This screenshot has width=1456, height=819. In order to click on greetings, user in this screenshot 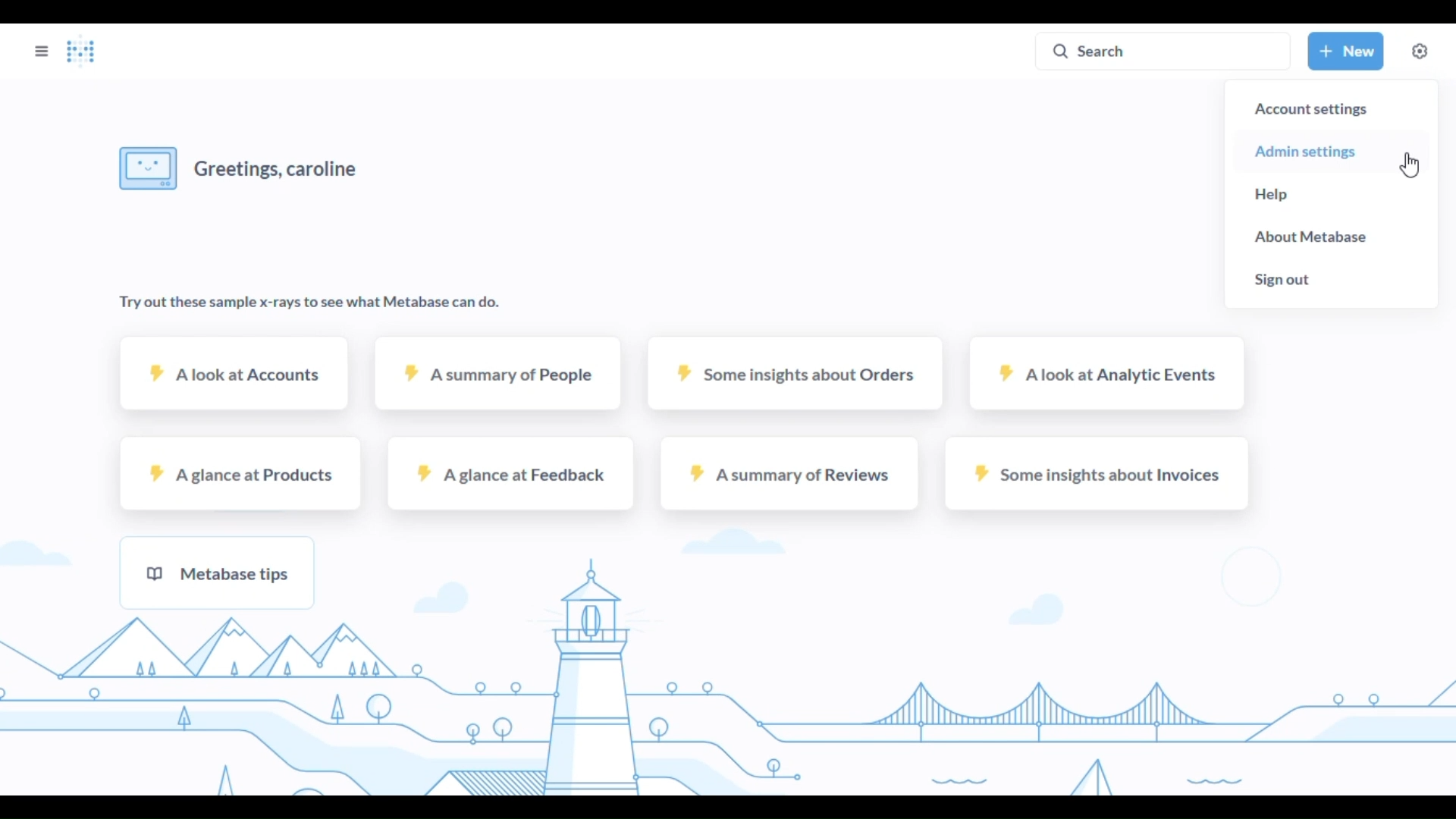, I will do `click(243, 168)`.